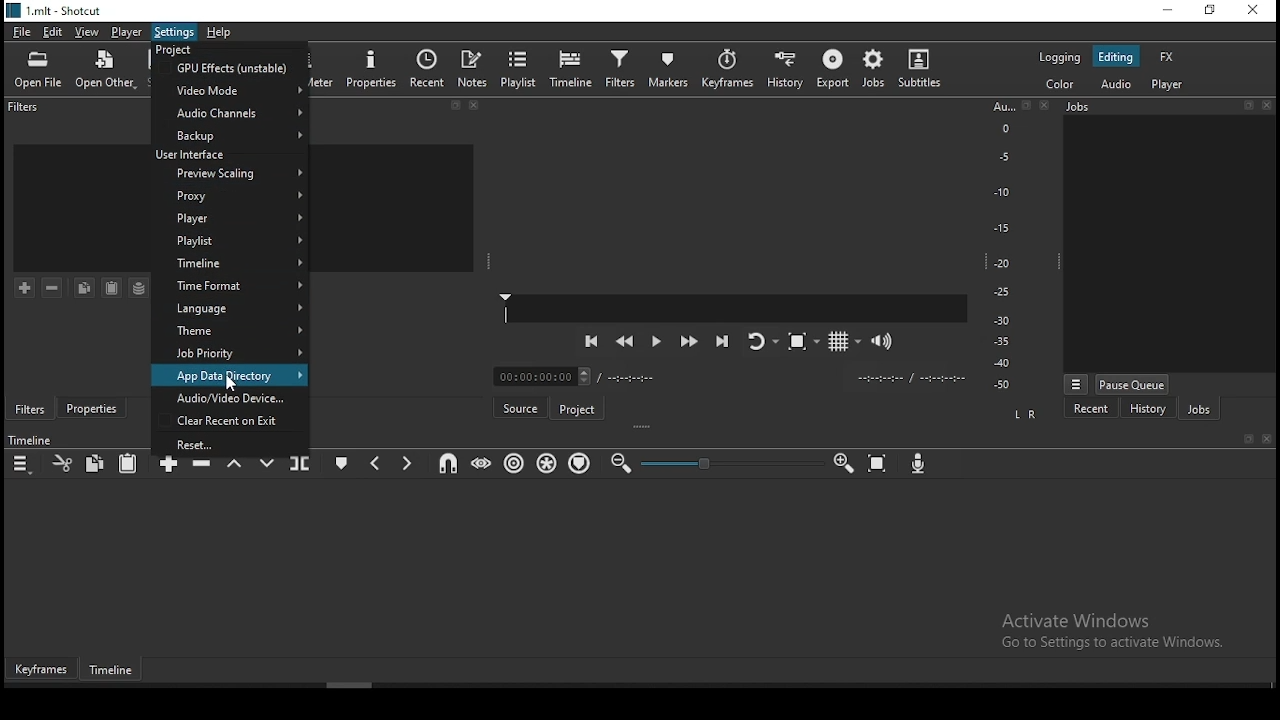 The height and width of the screenshot is (720, 1280). What do you see at coordinates (512, 464) in the screenshot?
I see `ripple` at bounding box center [512, 464].